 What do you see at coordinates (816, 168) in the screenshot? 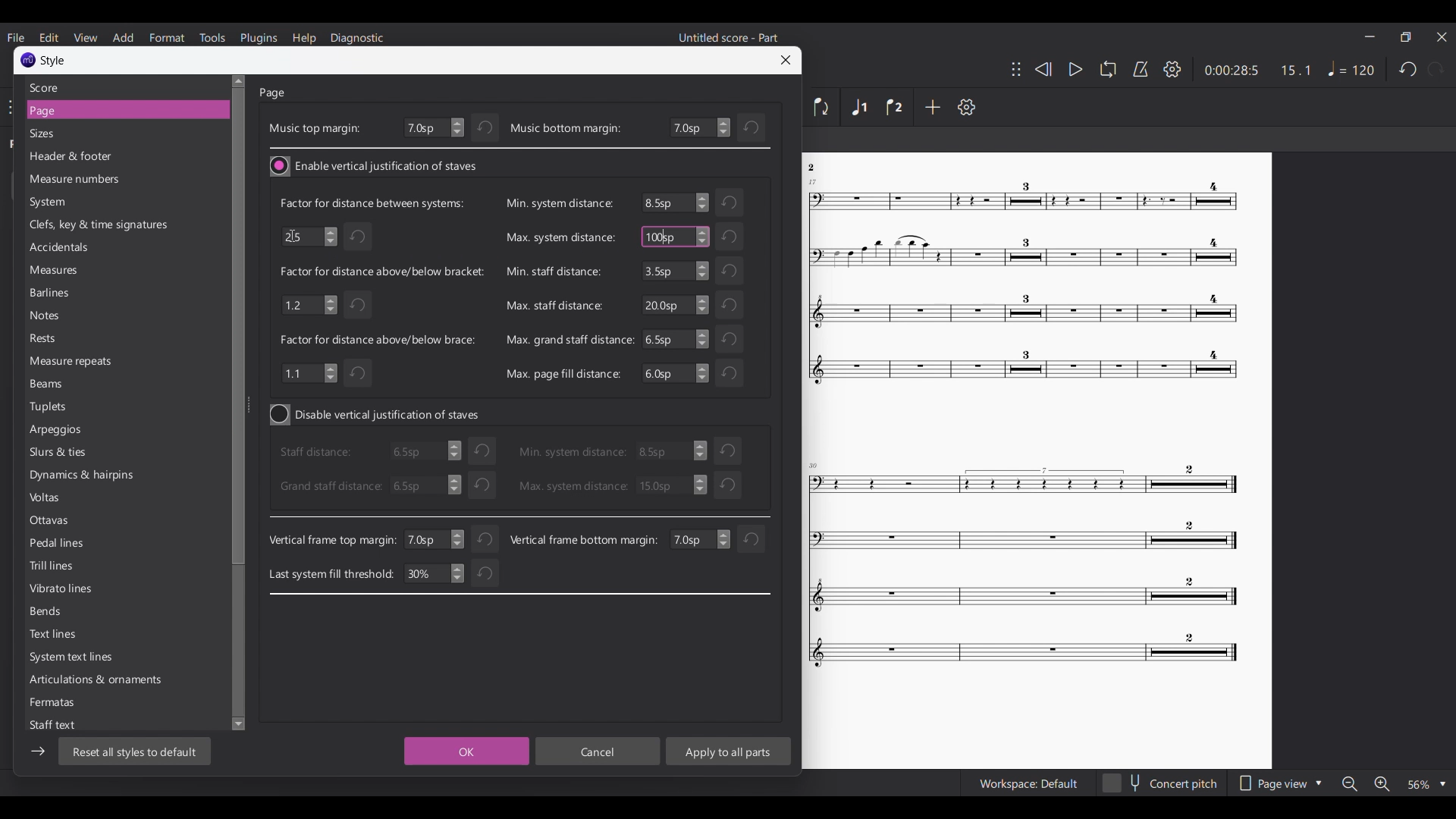
I see `` at bounding box center [816, 168].